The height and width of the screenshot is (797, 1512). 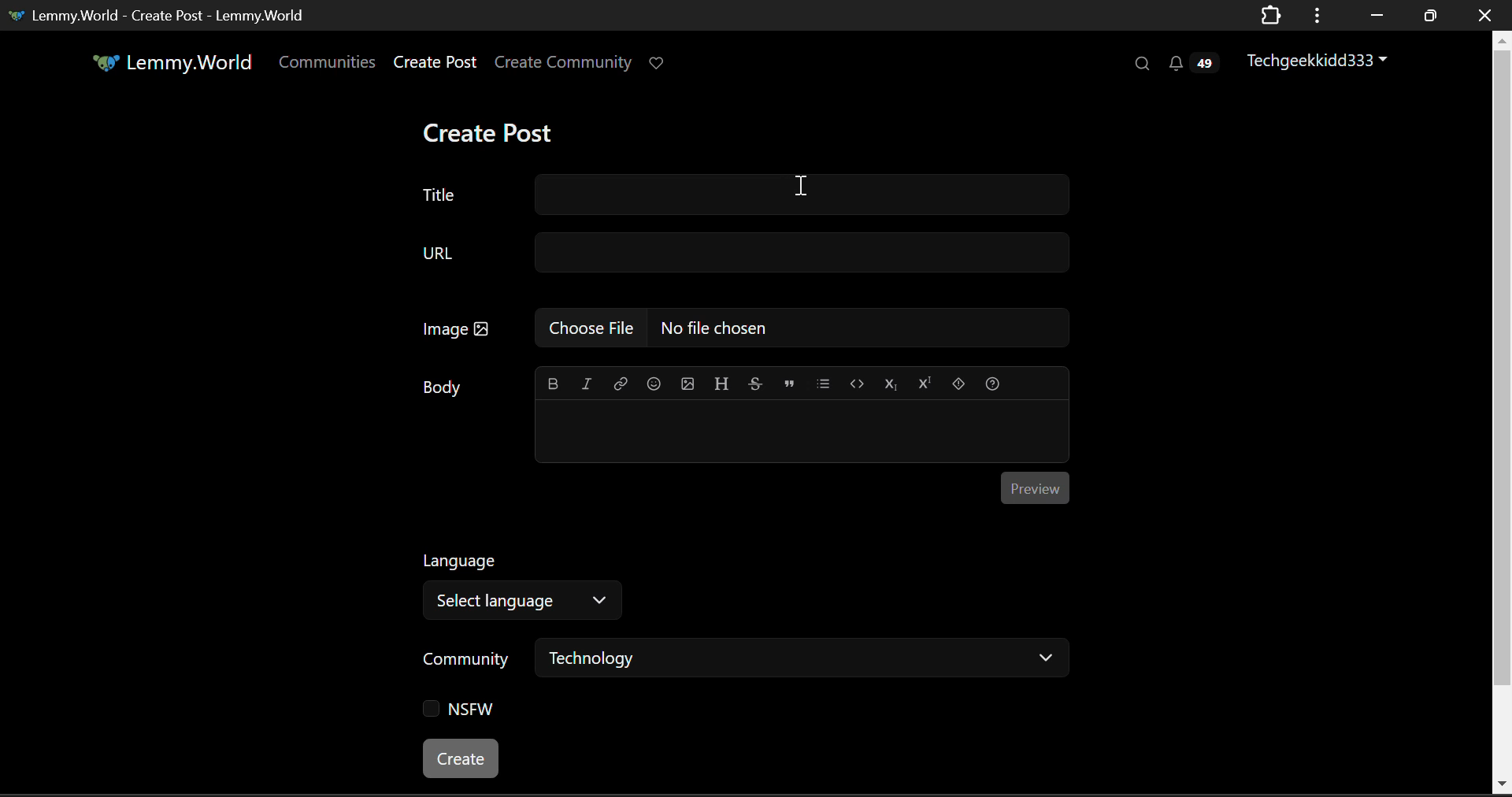 What do you see at coordinates (1140, 63) in the screenshot?
I see `Search` at bounding box center [1140, 63].